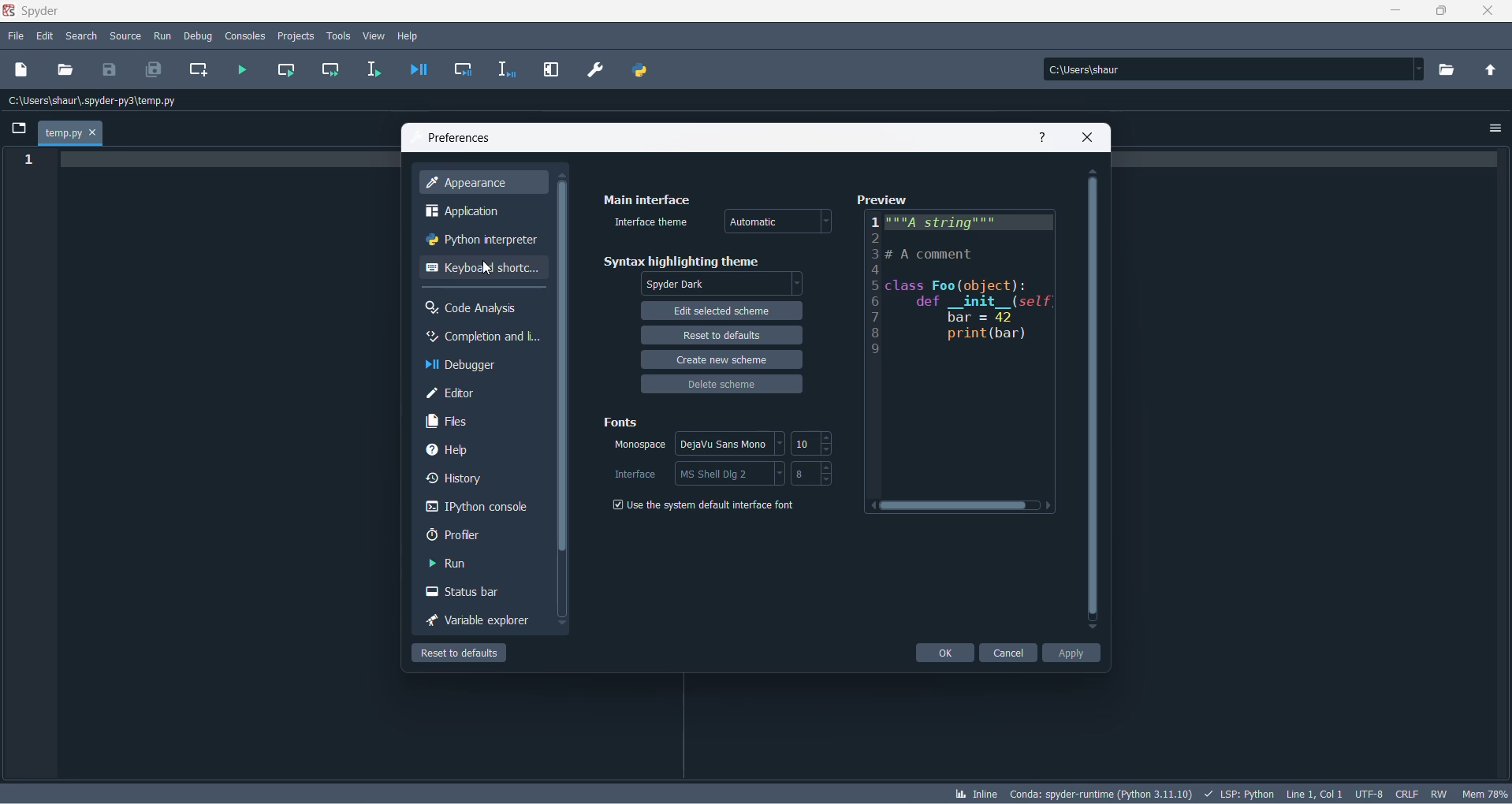 This screenshot has width=1512, height=804. Describe the element at coordinates (1104, 791) in the screenshot. I see `spyder version` at that location.